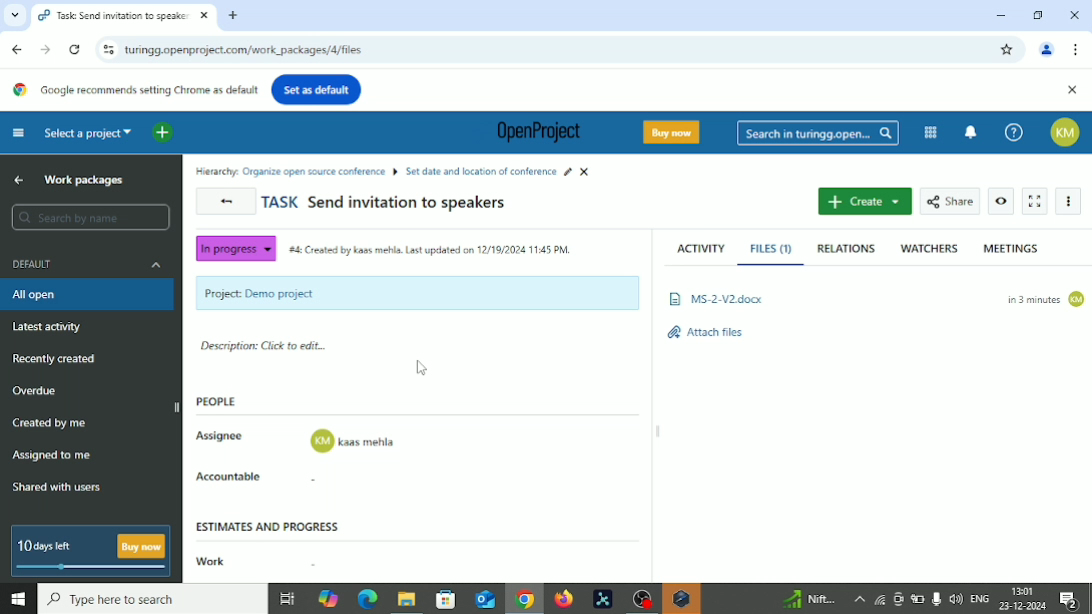 This screenshot has width=1092, height=614. I want to click on Select a project, so click(89, 132).